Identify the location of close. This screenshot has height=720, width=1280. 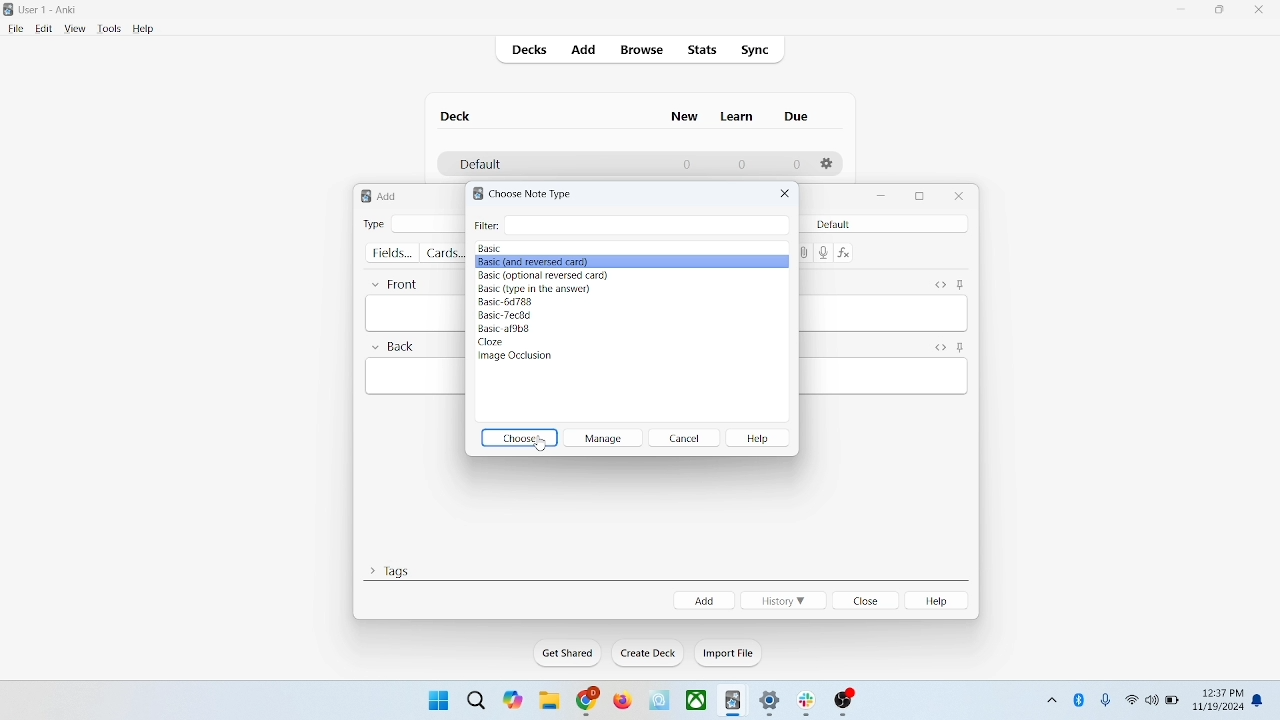
(785, 194).